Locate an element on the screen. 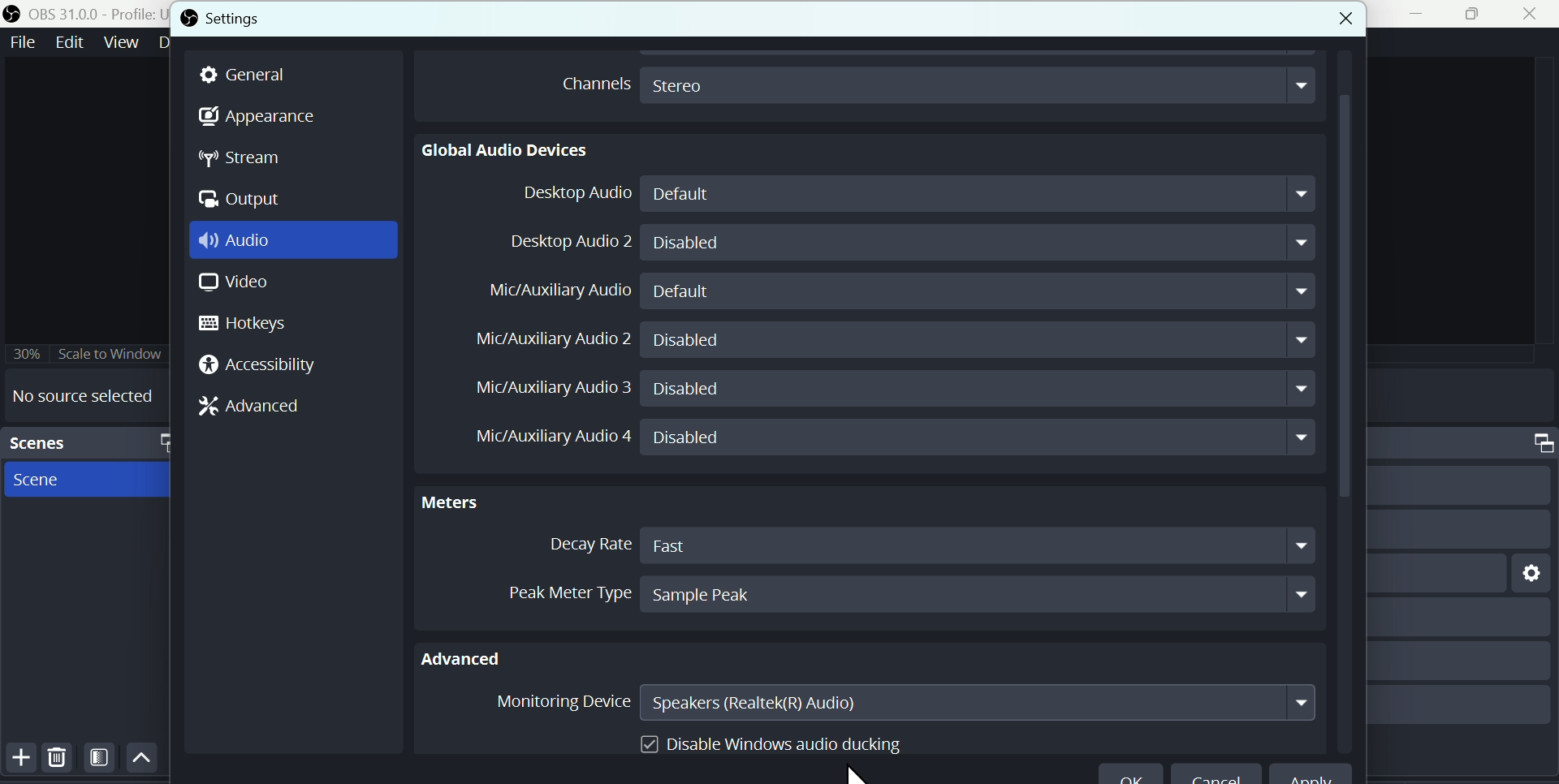 This screenshot has height=784, width=1559. Scale to window is located at coordinates (113, 353).